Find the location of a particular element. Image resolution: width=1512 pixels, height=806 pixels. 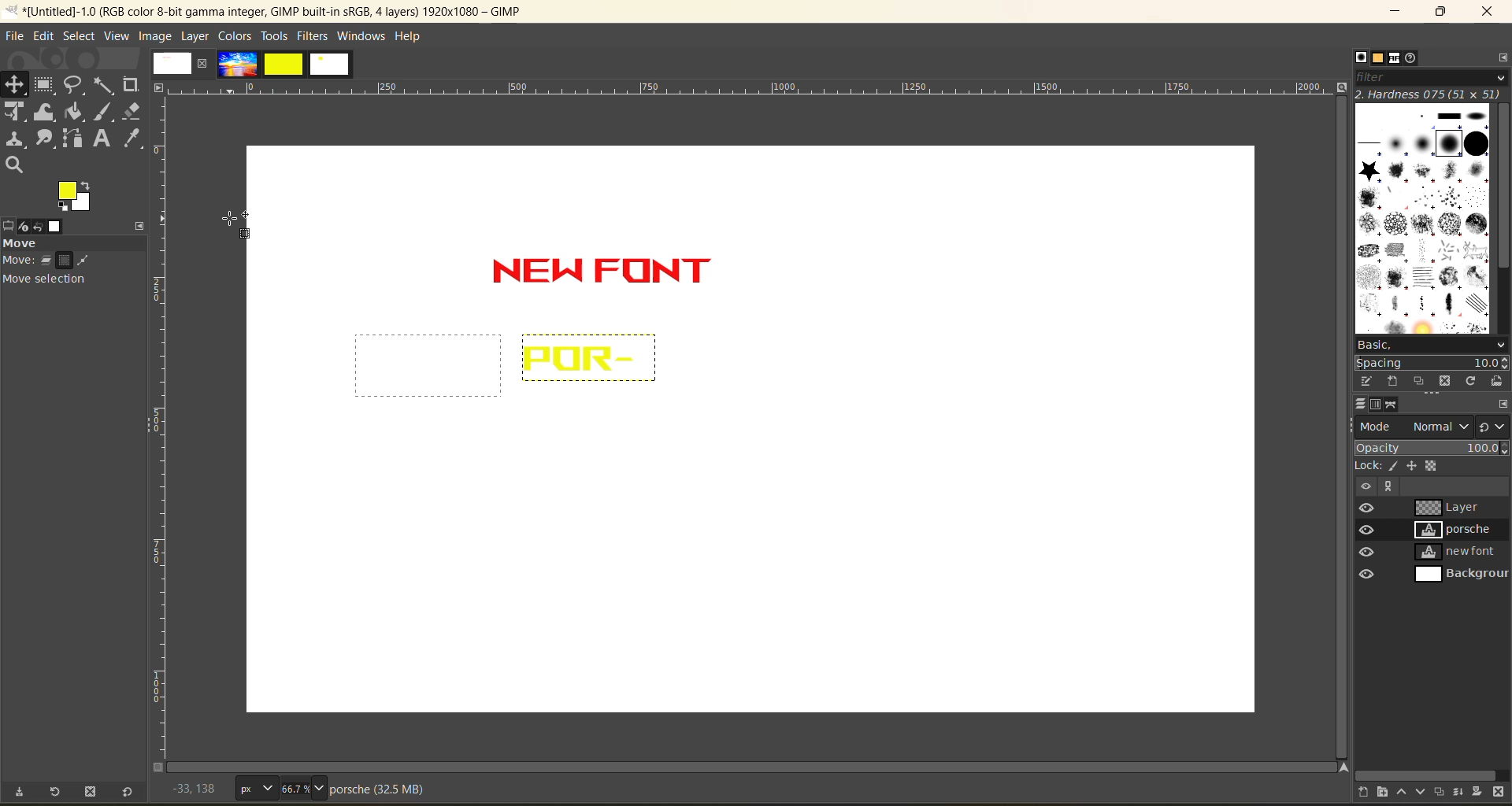

delete layer is located at coordinates (1503, 793).